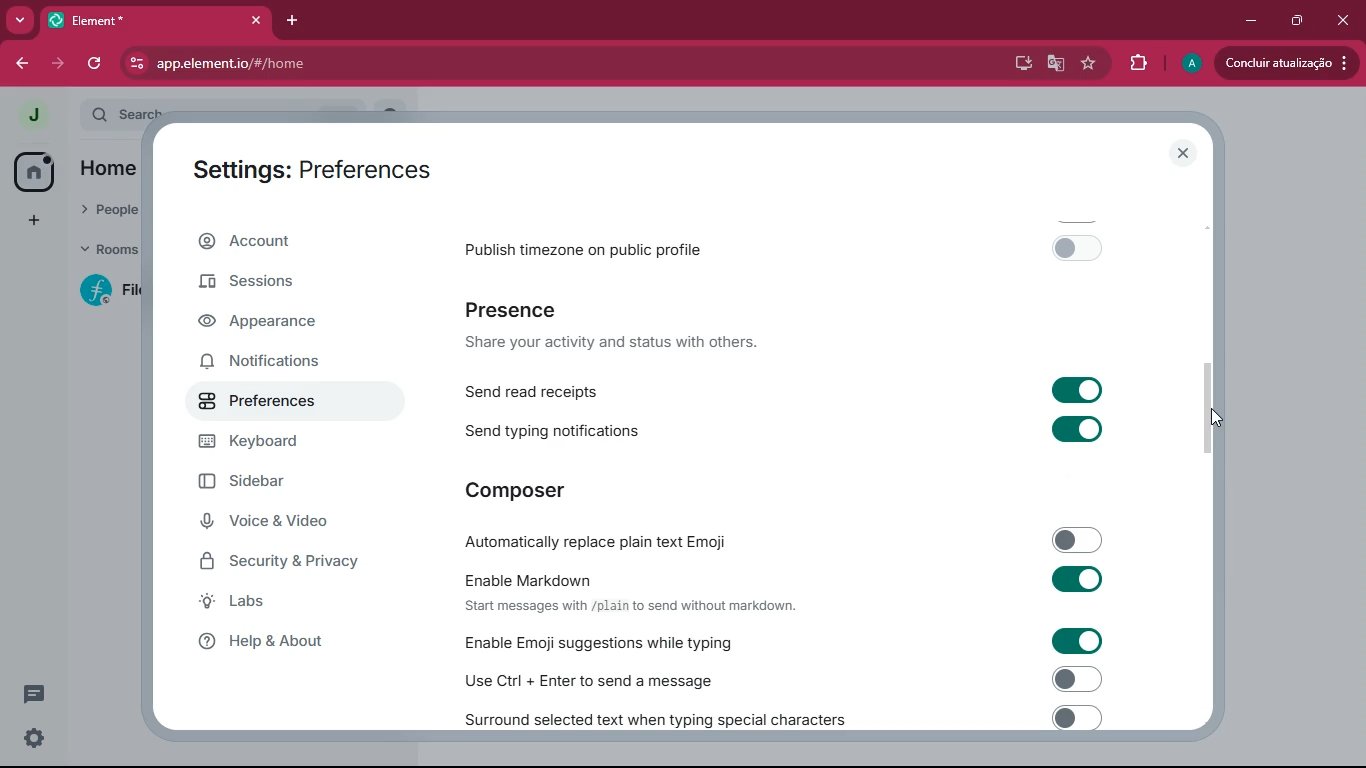  Describe the element at coordinates (32, 740) in the screenshot. I see `quick settings` at that location.